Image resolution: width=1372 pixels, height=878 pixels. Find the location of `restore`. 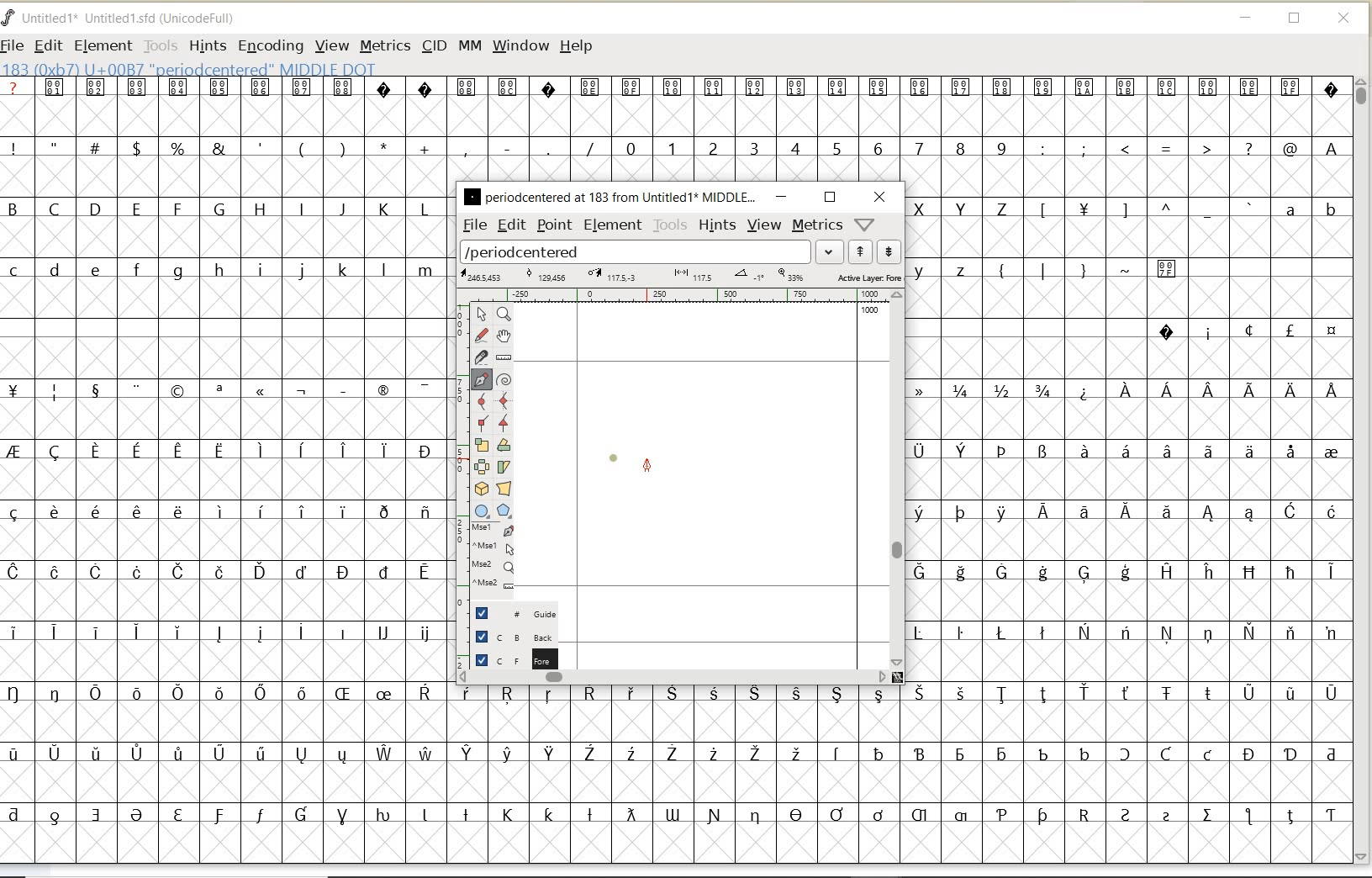

restore is located at coordinates (830, 196).